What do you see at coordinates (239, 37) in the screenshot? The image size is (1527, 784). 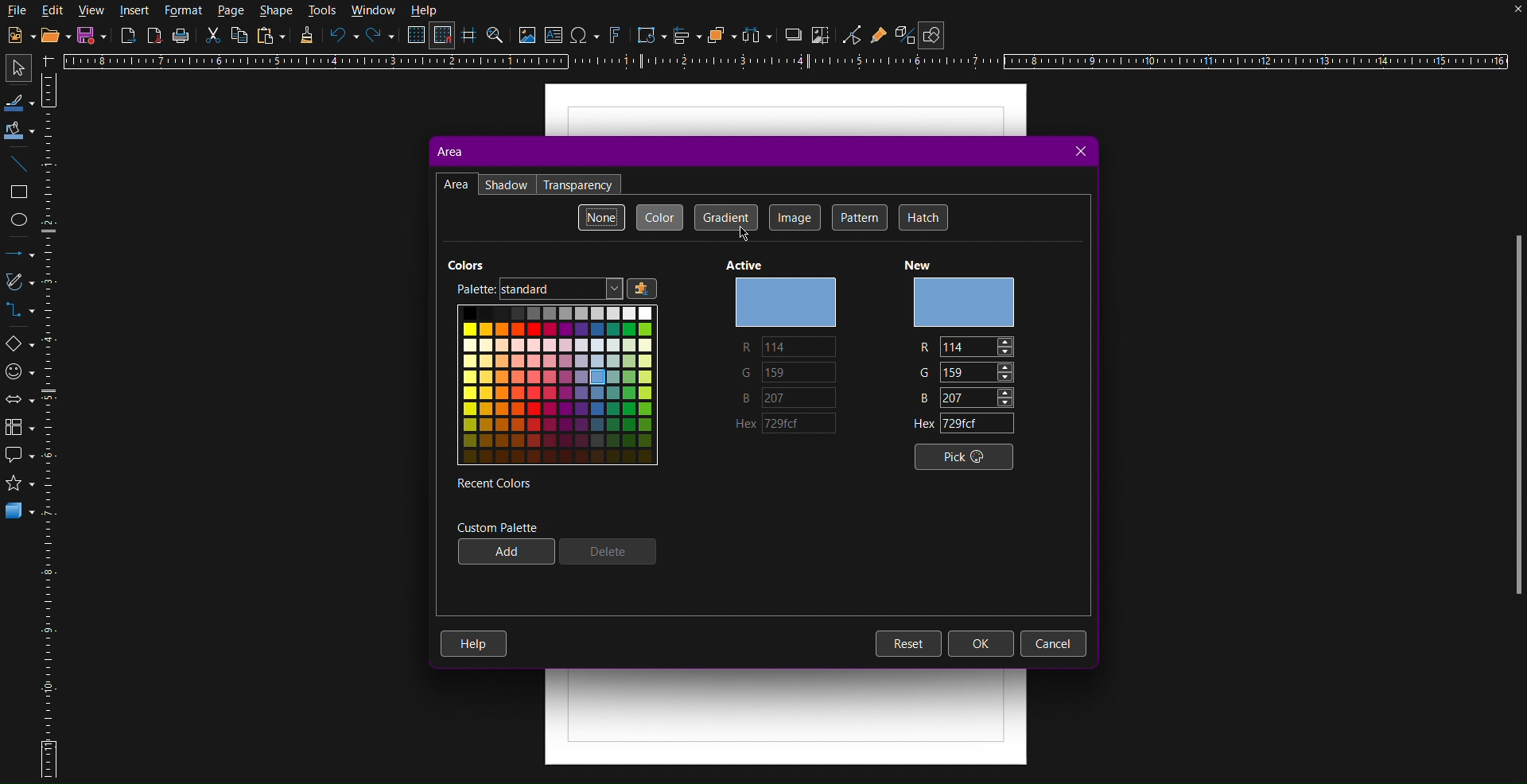 I see `Copy` at bounding box center [239, 37].